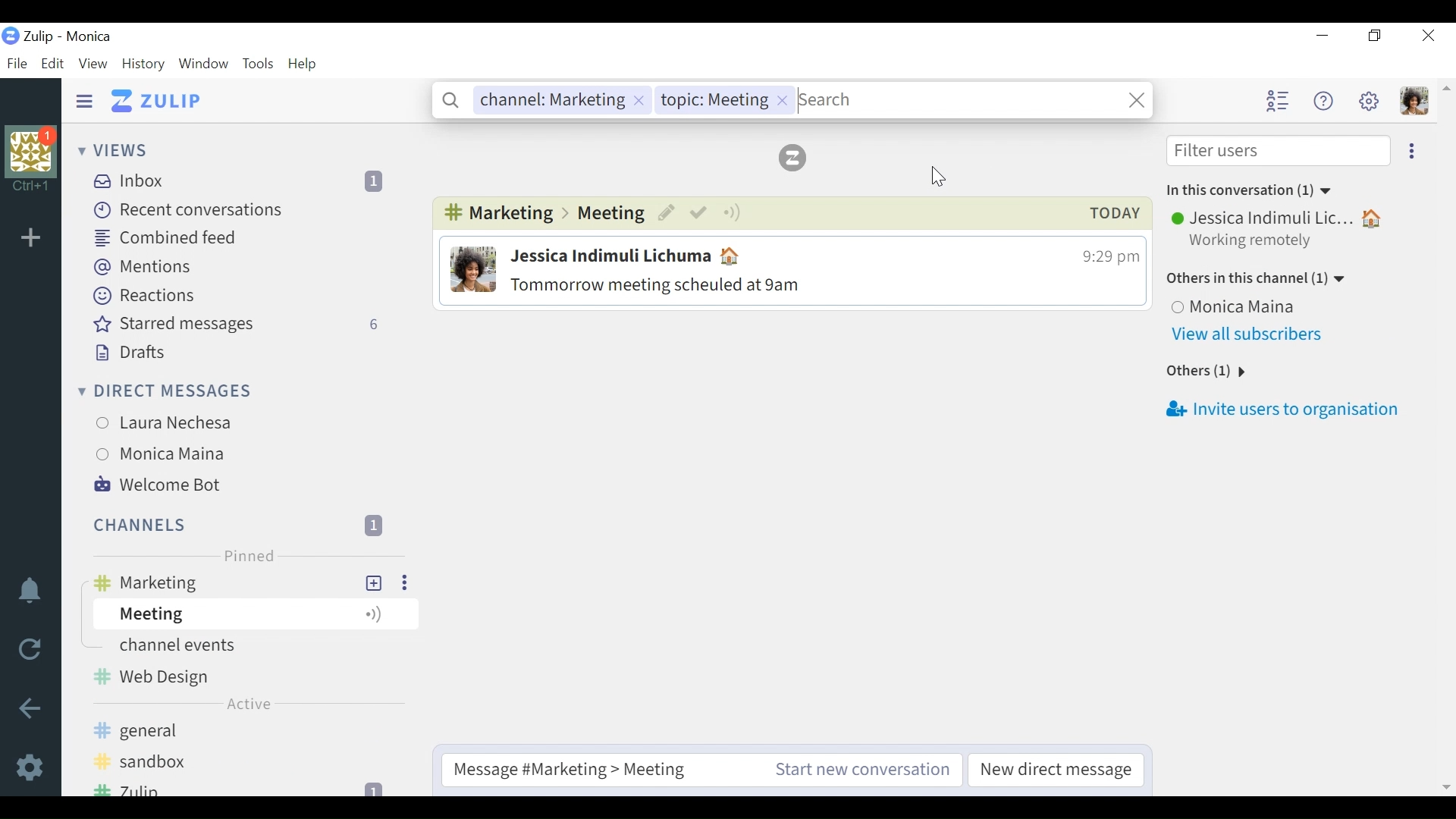  What do you see at coordinates (35, 243) in the screenshot?
I see `add organisation` at bounding box center [35, 243].